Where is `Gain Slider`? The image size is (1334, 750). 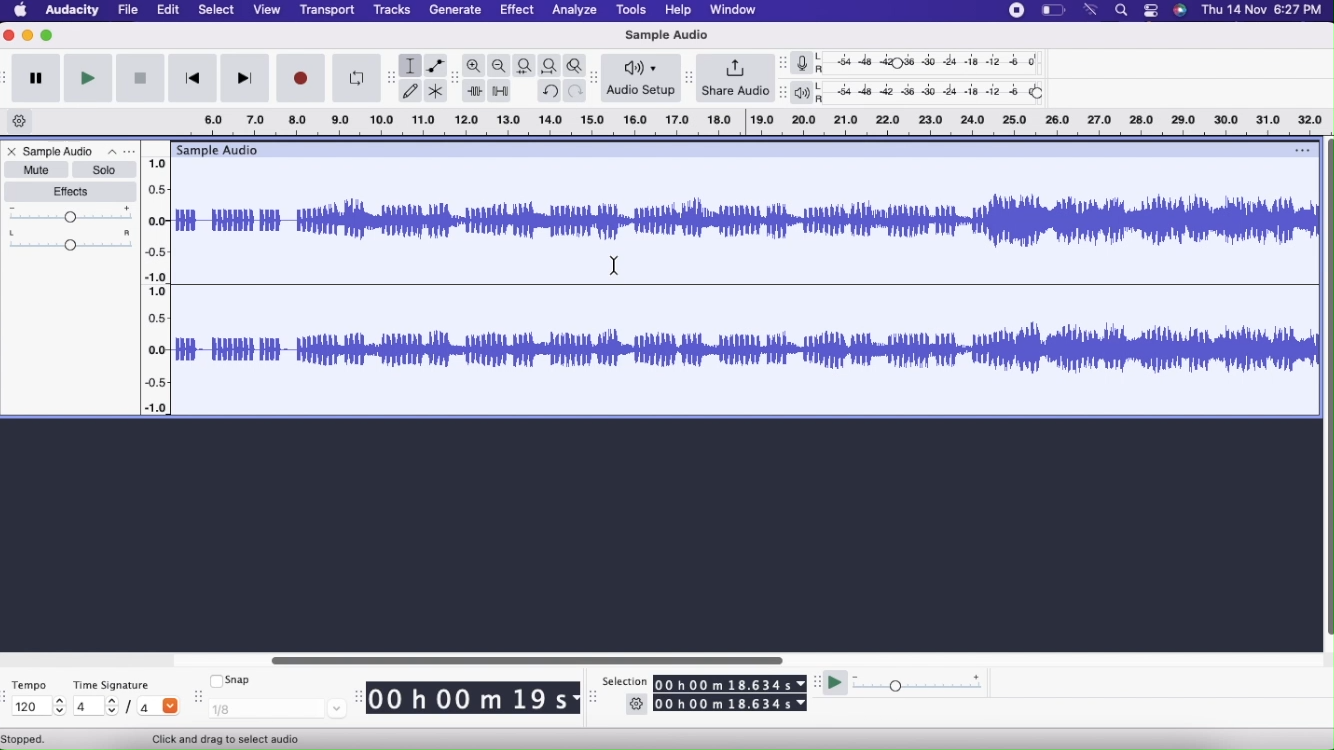
Gain Slider is located at coordinates (71, 216).